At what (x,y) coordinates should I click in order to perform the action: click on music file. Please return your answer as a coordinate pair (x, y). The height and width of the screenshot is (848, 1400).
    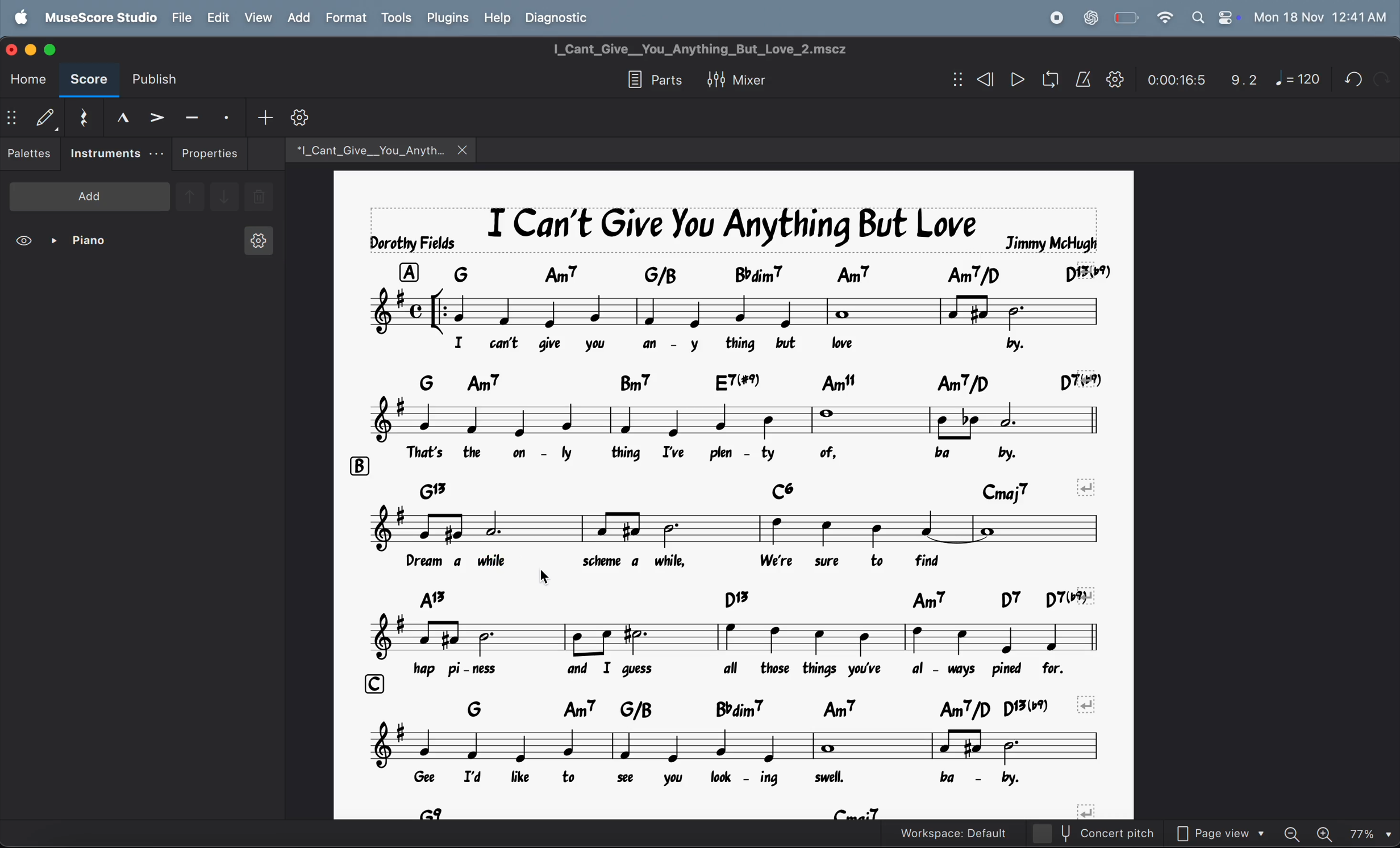
    Looking at the image, I should click on (369, 149).